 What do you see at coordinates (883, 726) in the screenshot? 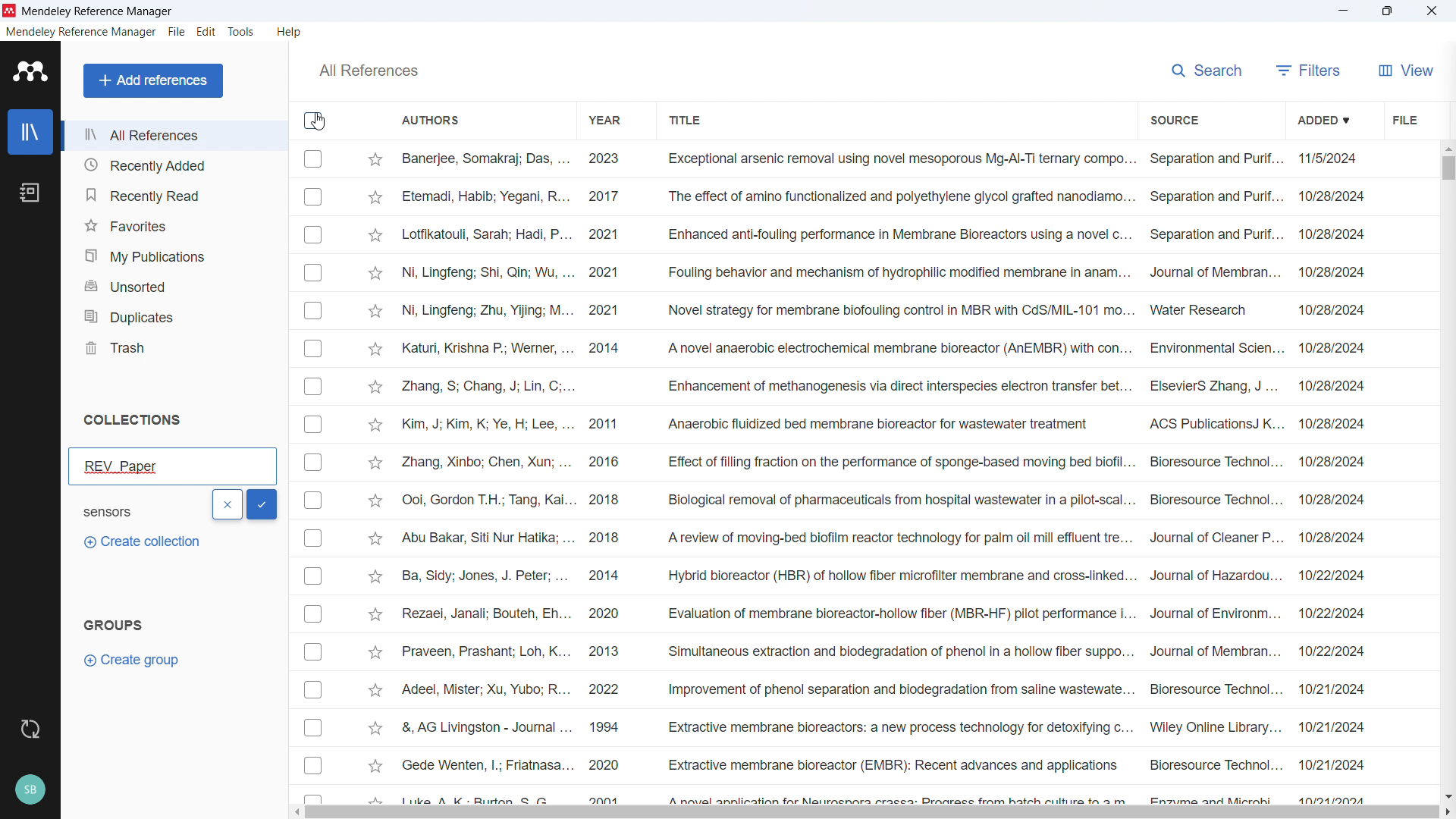
I see `&, AG Livingston - Journal ... 1994 Extractive membrane bioreactors: a new process technology for detoxifying c... Wiley Online Library... 10/21/2024` at bounding box center [883, 726].